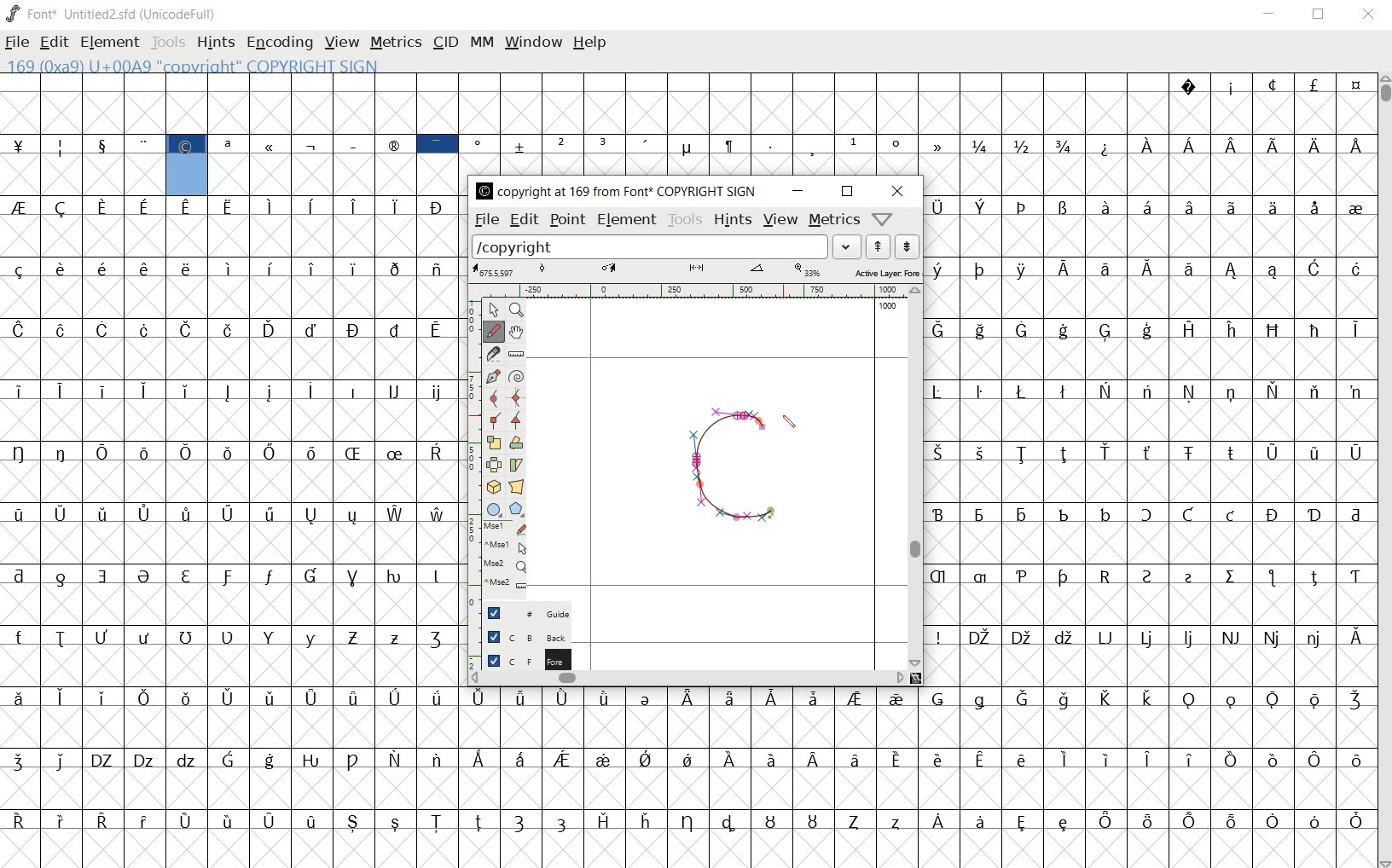 The width and height of the screenshot is (1392, 868). What do you see at coordinates (684, 219) in the screenshot?
I see `tools` at bounding box center [684, 219].